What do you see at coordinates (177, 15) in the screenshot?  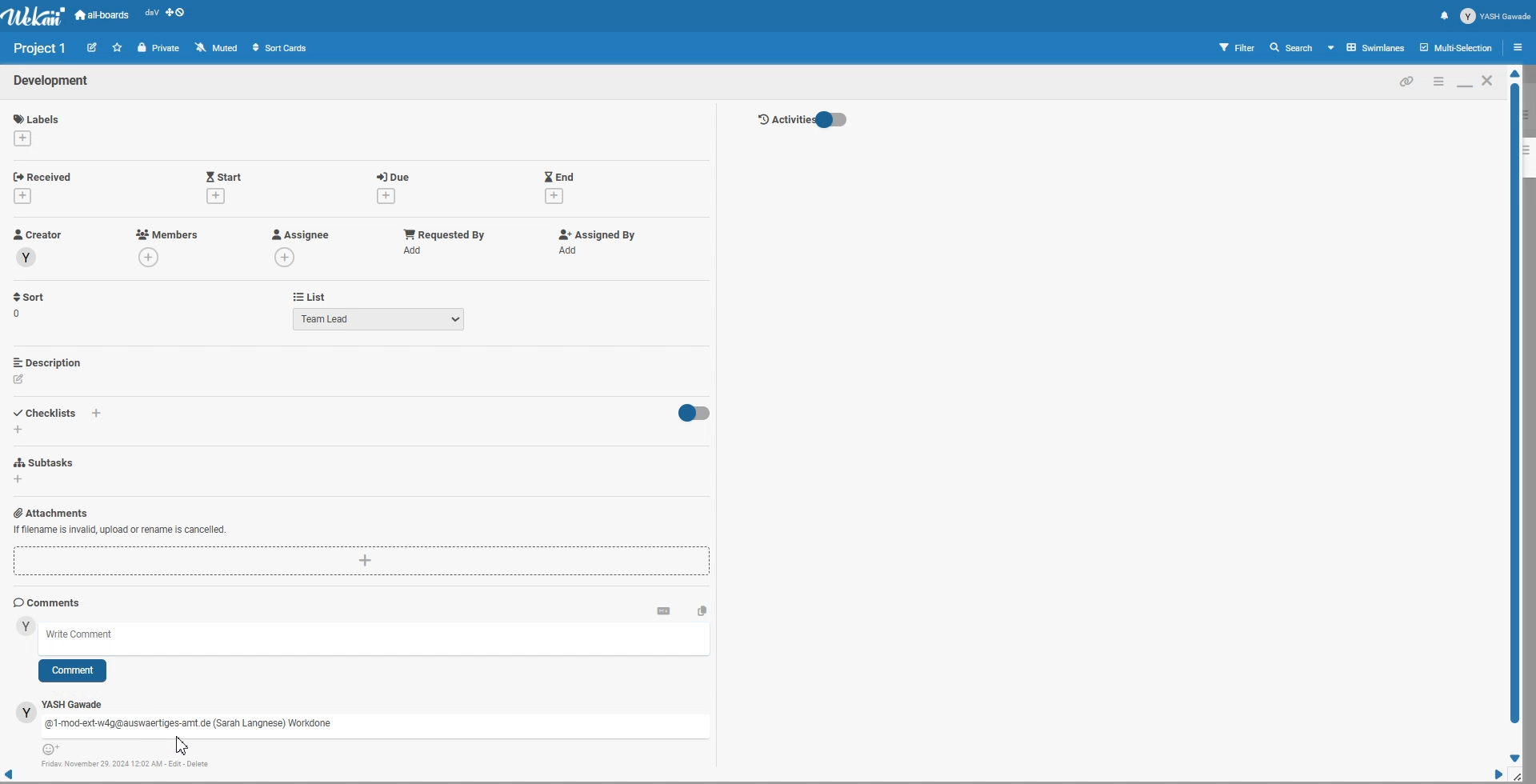 I see `Show desktop drag handle` at bounding box center [177, 15].